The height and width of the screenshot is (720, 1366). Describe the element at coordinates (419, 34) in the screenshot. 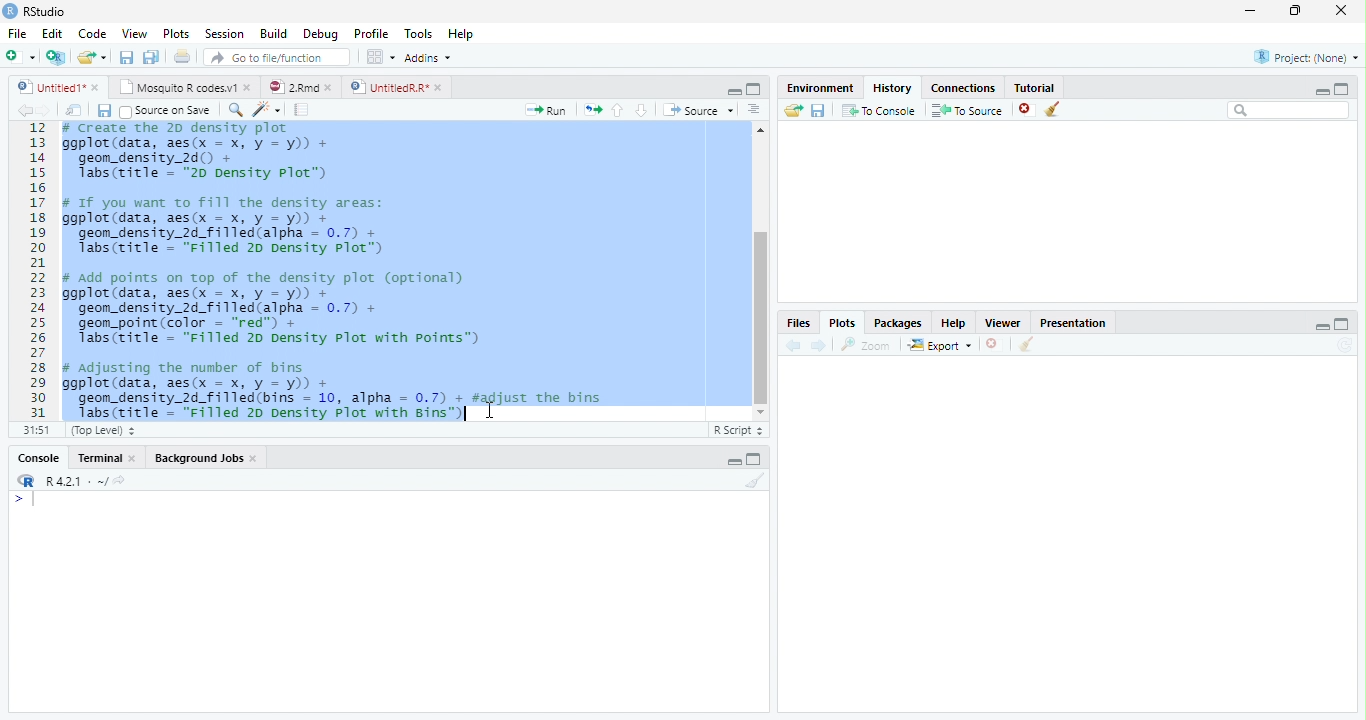

I see `Tools` at that location.